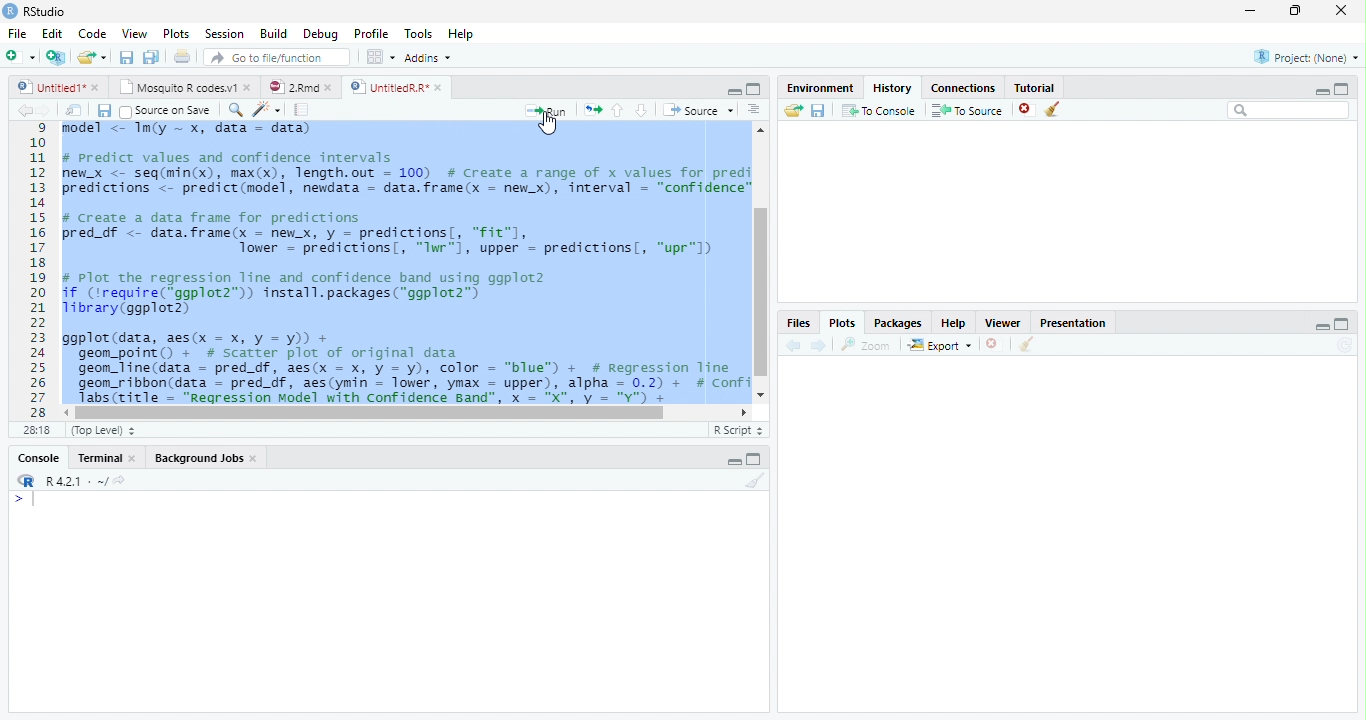  What do you see at coordinates (205, 457) in the screenshot?
I see `Background Jobs` at bounding box center [205, 457].